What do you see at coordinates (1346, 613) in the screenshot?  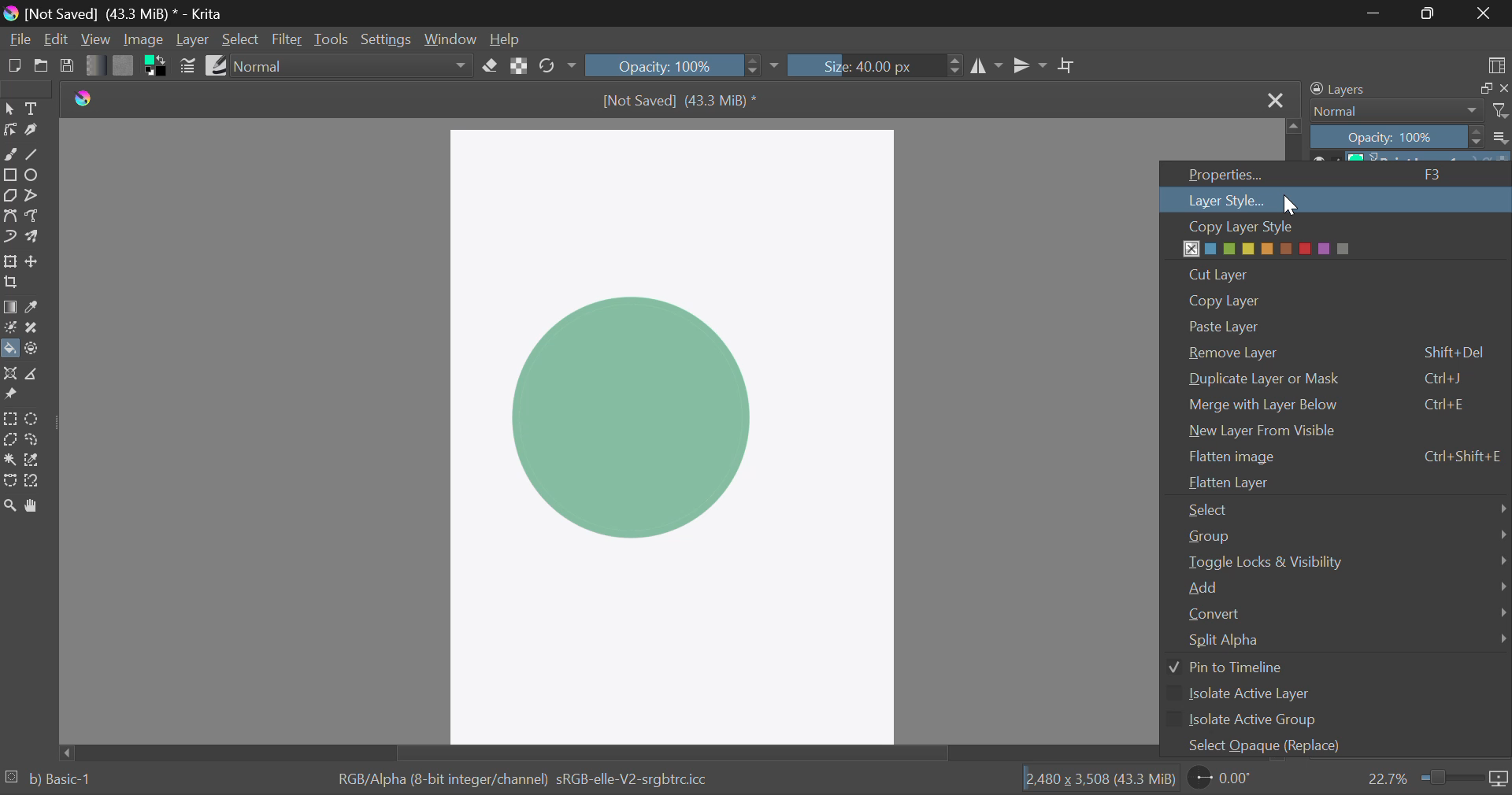 I see `Convert` at bounding box center [1346, 613].